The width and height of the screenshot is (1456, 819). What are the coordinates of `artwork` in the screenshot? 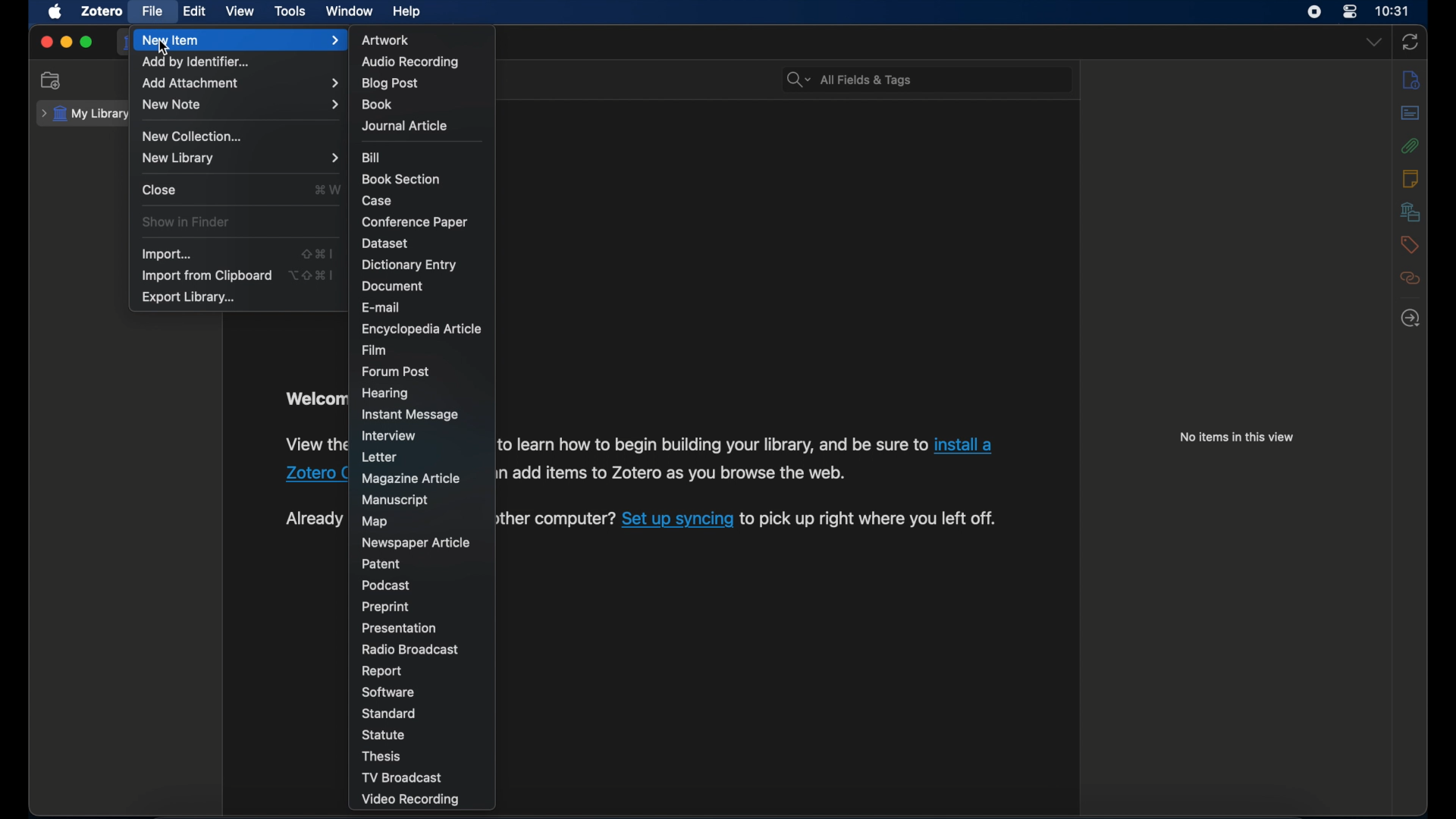 It's located at (386, 40).